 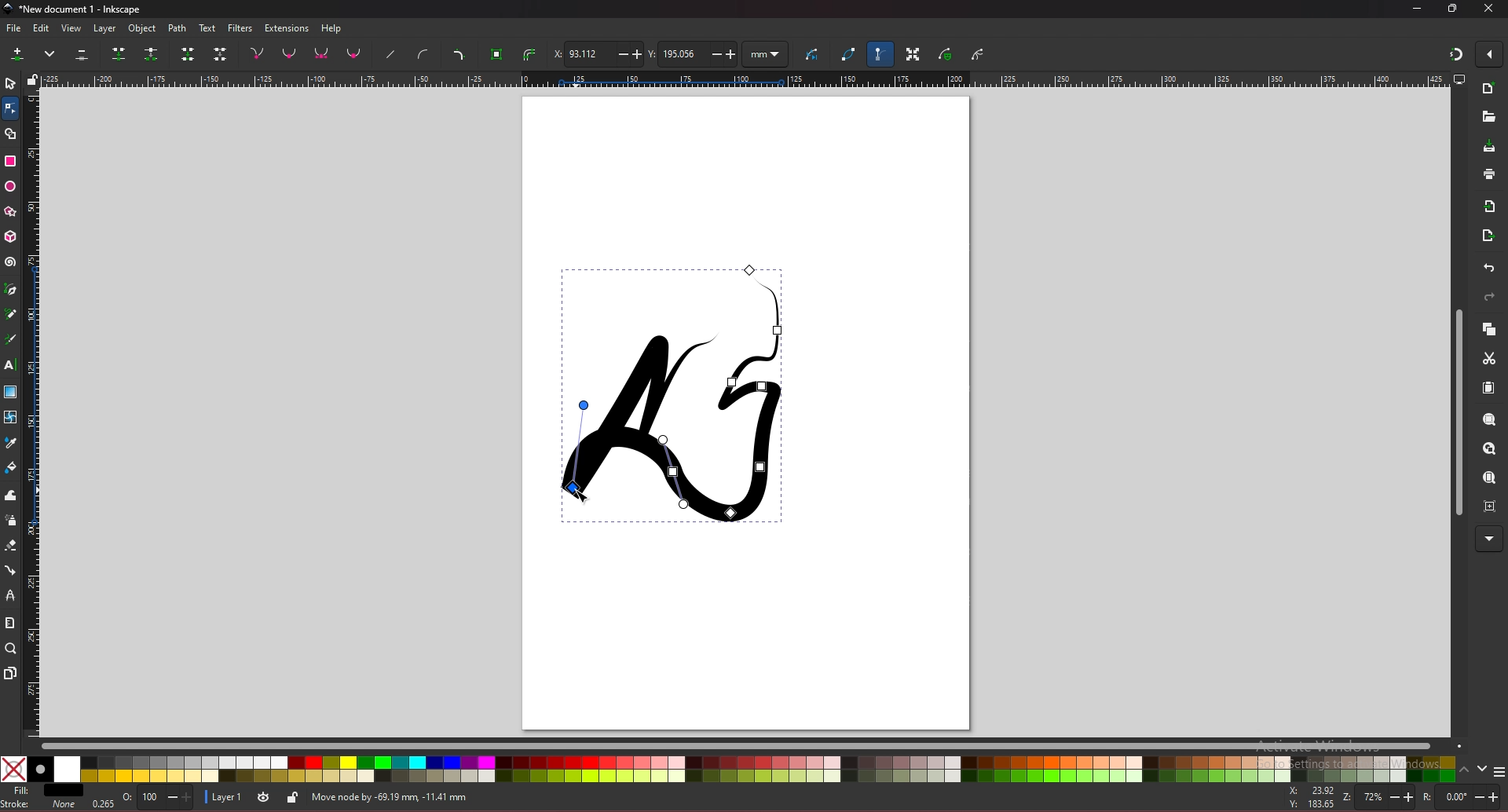 What do you see at coordinates (101, 802) in the screenshot?
I see `0.265` at bounding box center [101, 802].